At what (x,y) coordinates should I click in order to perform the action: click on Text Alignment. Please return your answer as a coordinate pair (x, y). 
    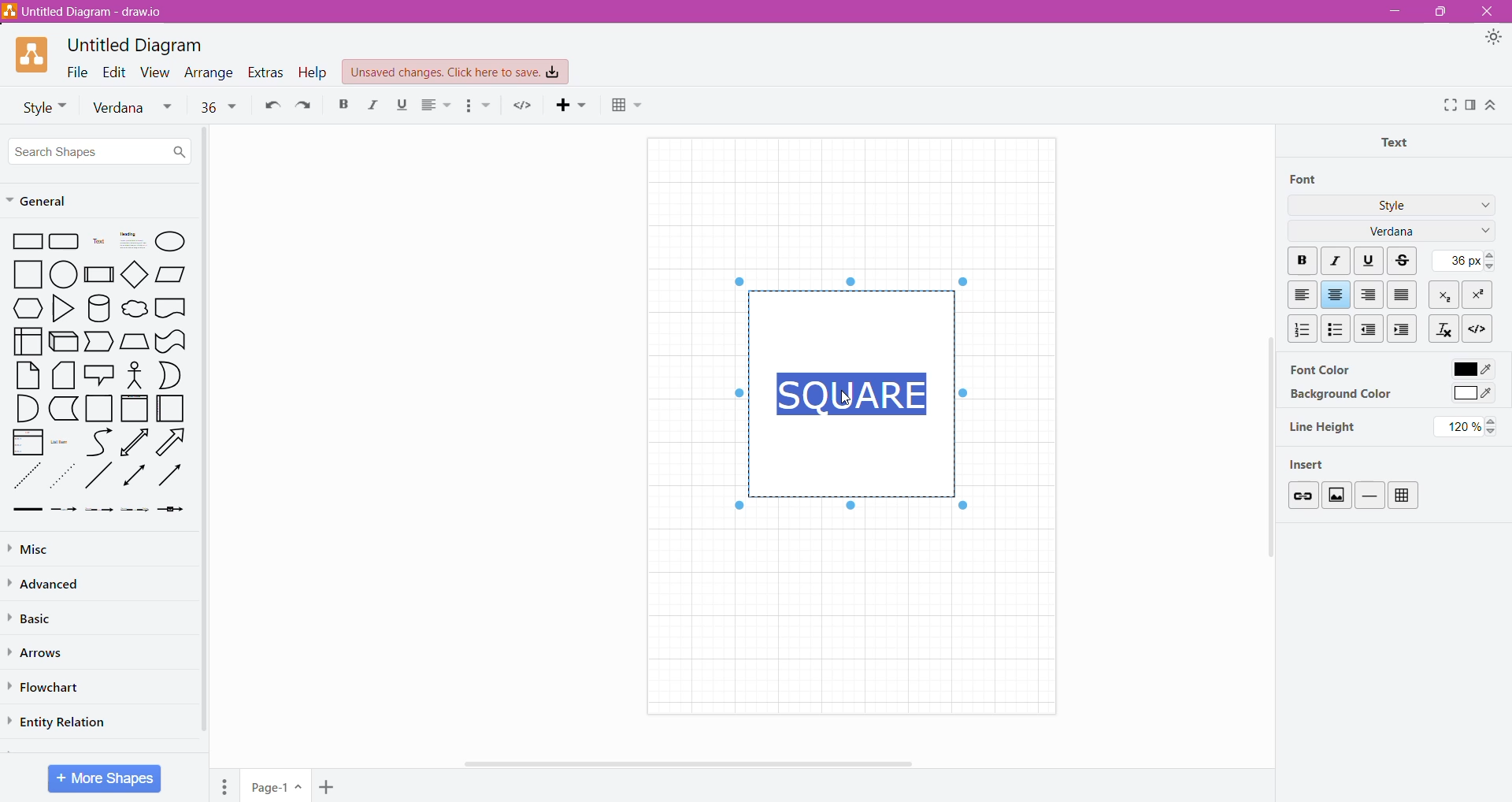
    Looking at the image, I should click on (438, 105).